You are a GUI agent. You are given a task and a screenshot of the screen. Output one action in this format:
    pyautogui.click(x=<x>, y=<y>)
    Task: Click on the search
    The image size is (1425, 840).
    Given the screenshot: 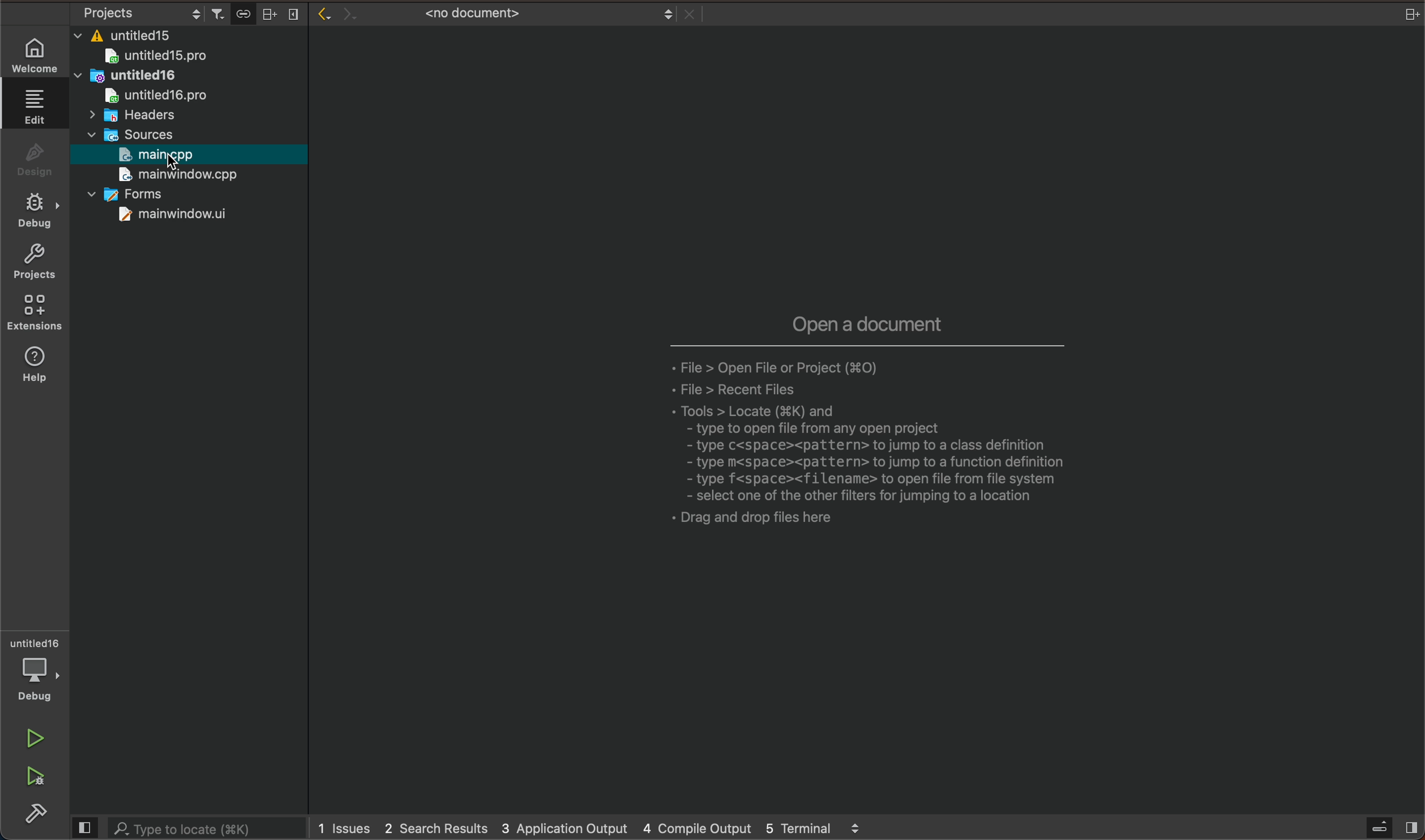 What is the action you would take?
    pyautogui.click(x=187, y=829)
    